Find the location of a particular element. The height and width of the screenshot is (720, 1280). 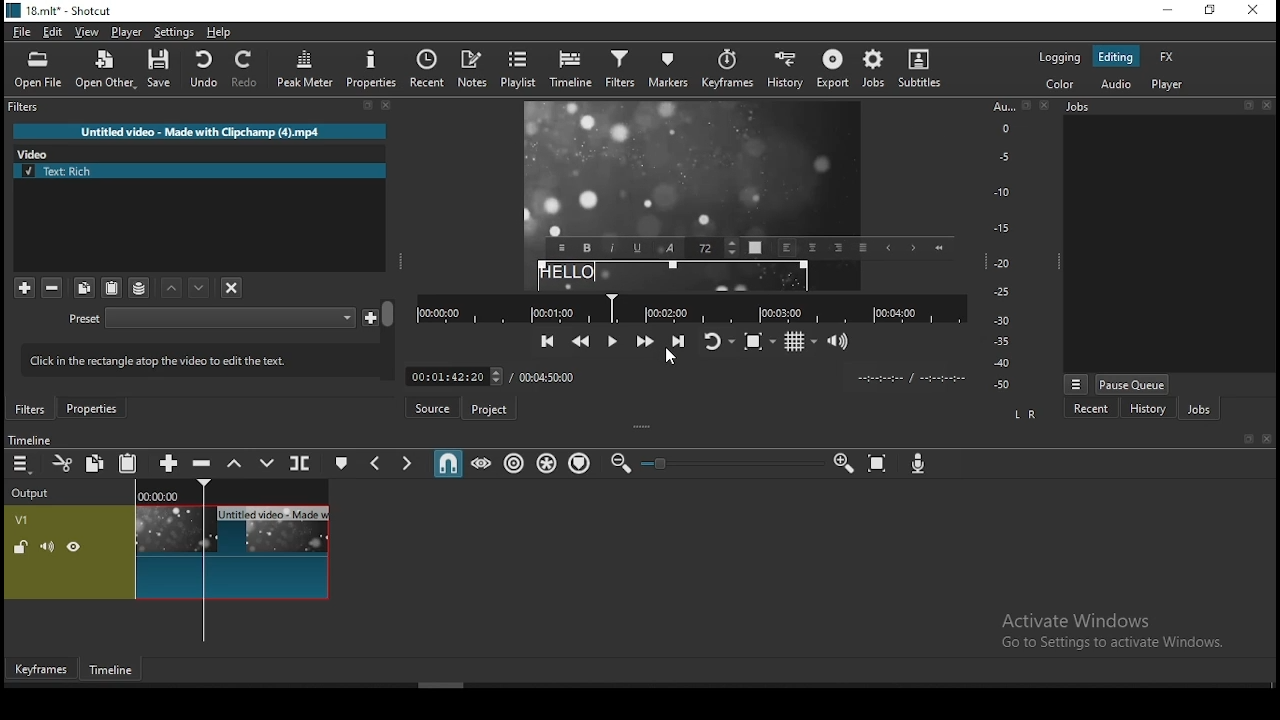

Menu is located at coordinates (1076, 384).